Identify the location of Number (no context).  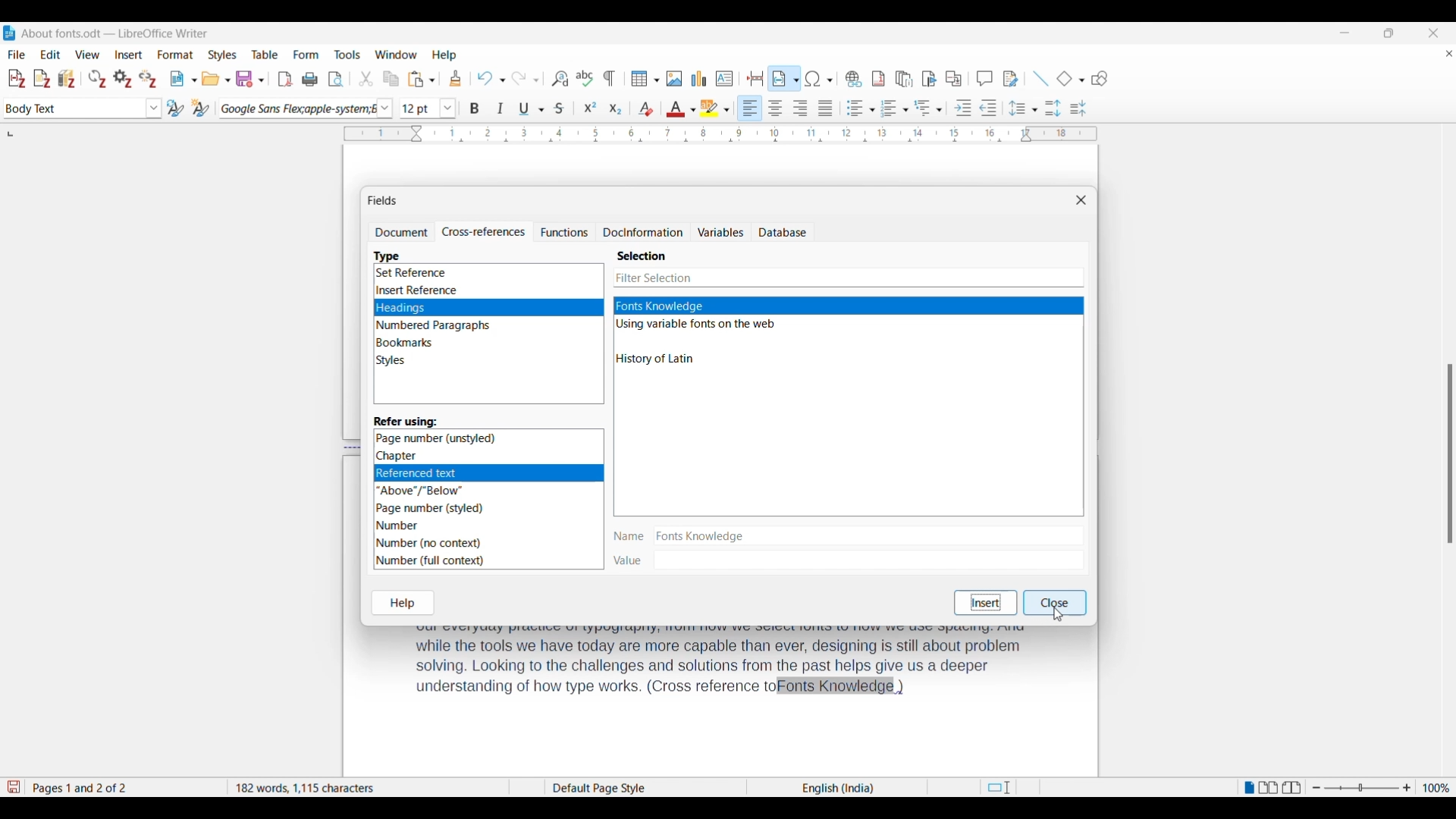
(429, 543).